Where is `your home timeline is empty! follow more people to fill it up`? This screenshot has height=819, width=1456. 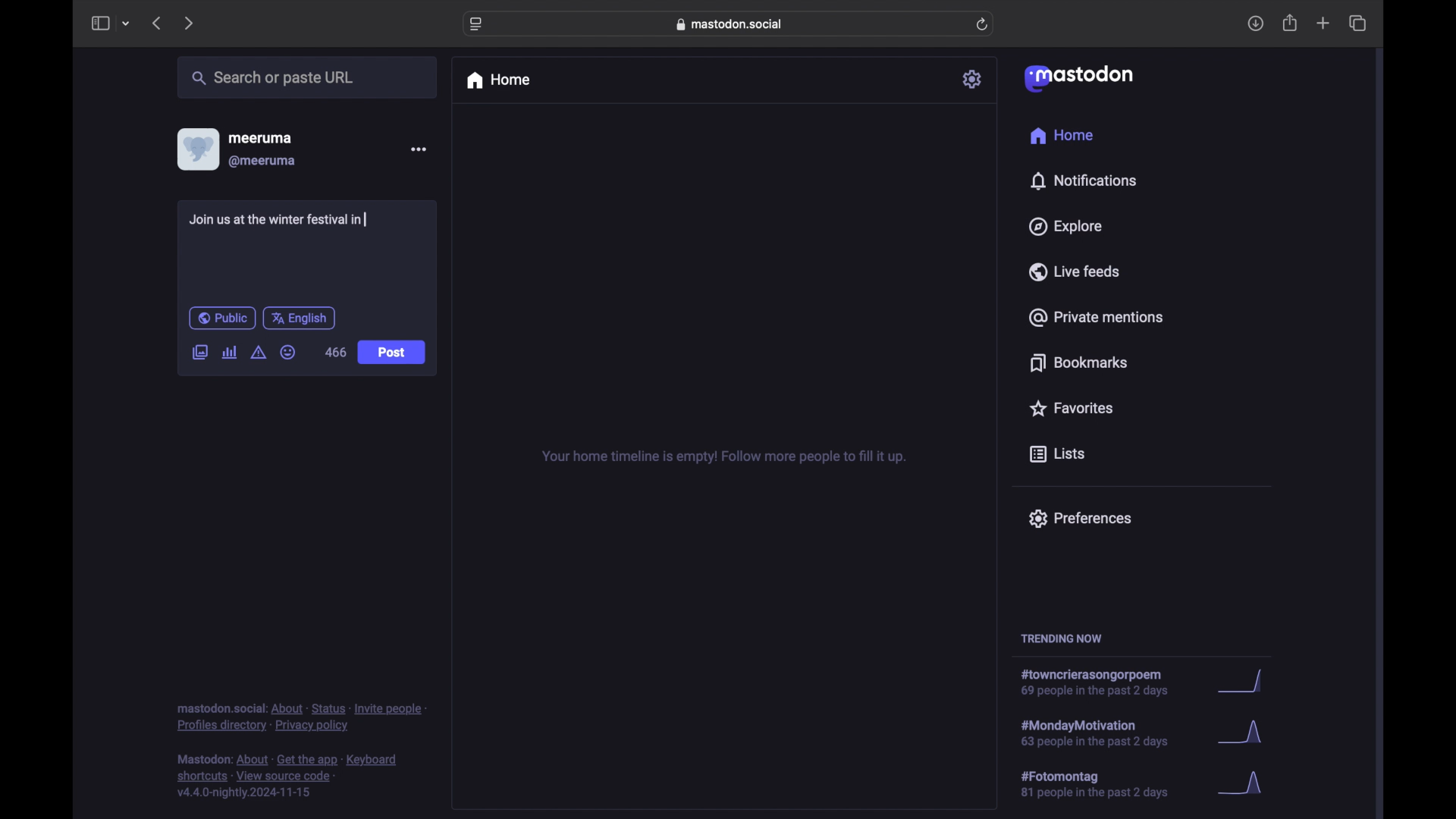 your home timeline is empty! follow more people to fill it up is located at coordinates (723, 457).